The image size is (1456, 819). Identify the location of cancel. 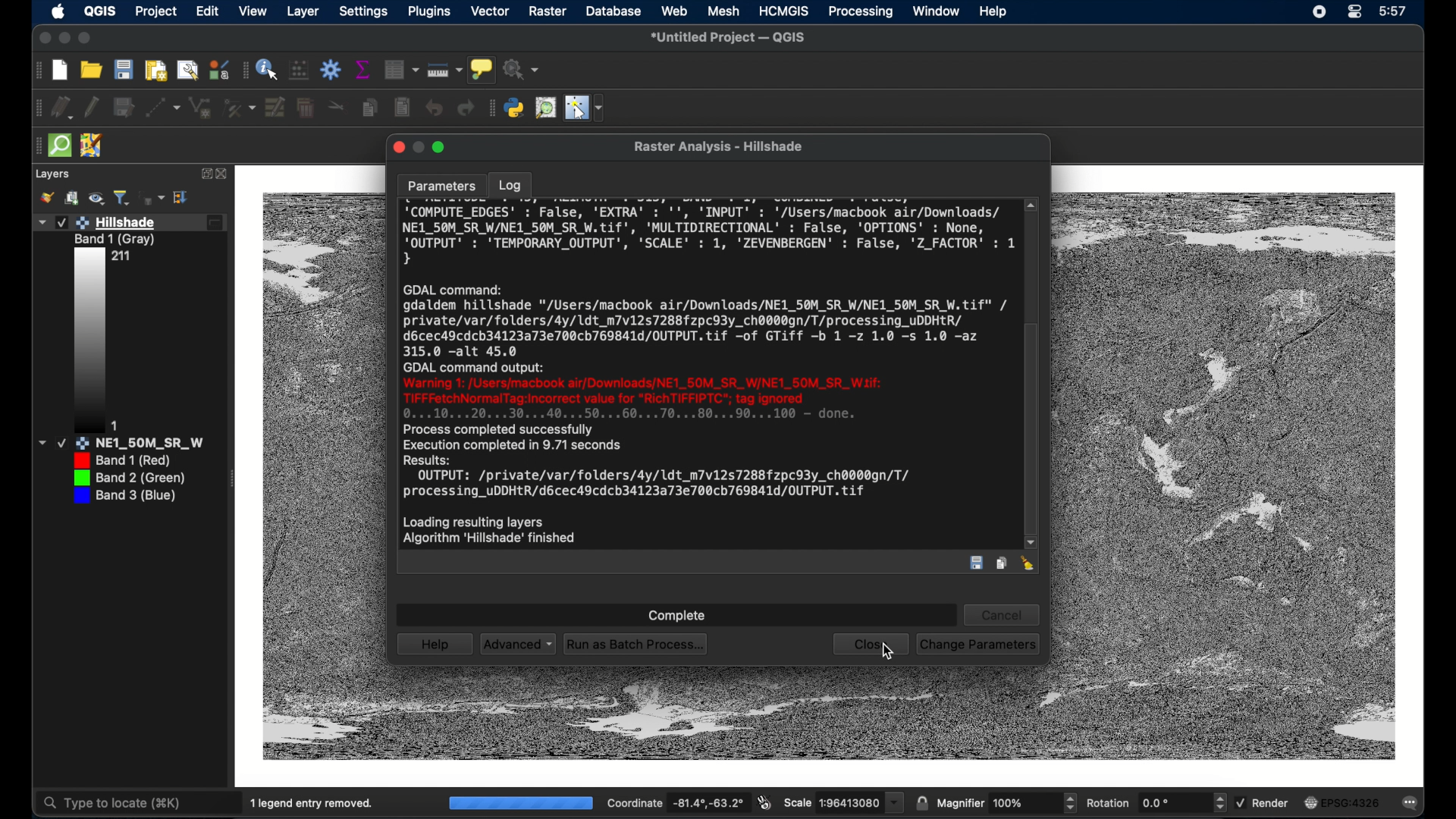
(1003, 616).